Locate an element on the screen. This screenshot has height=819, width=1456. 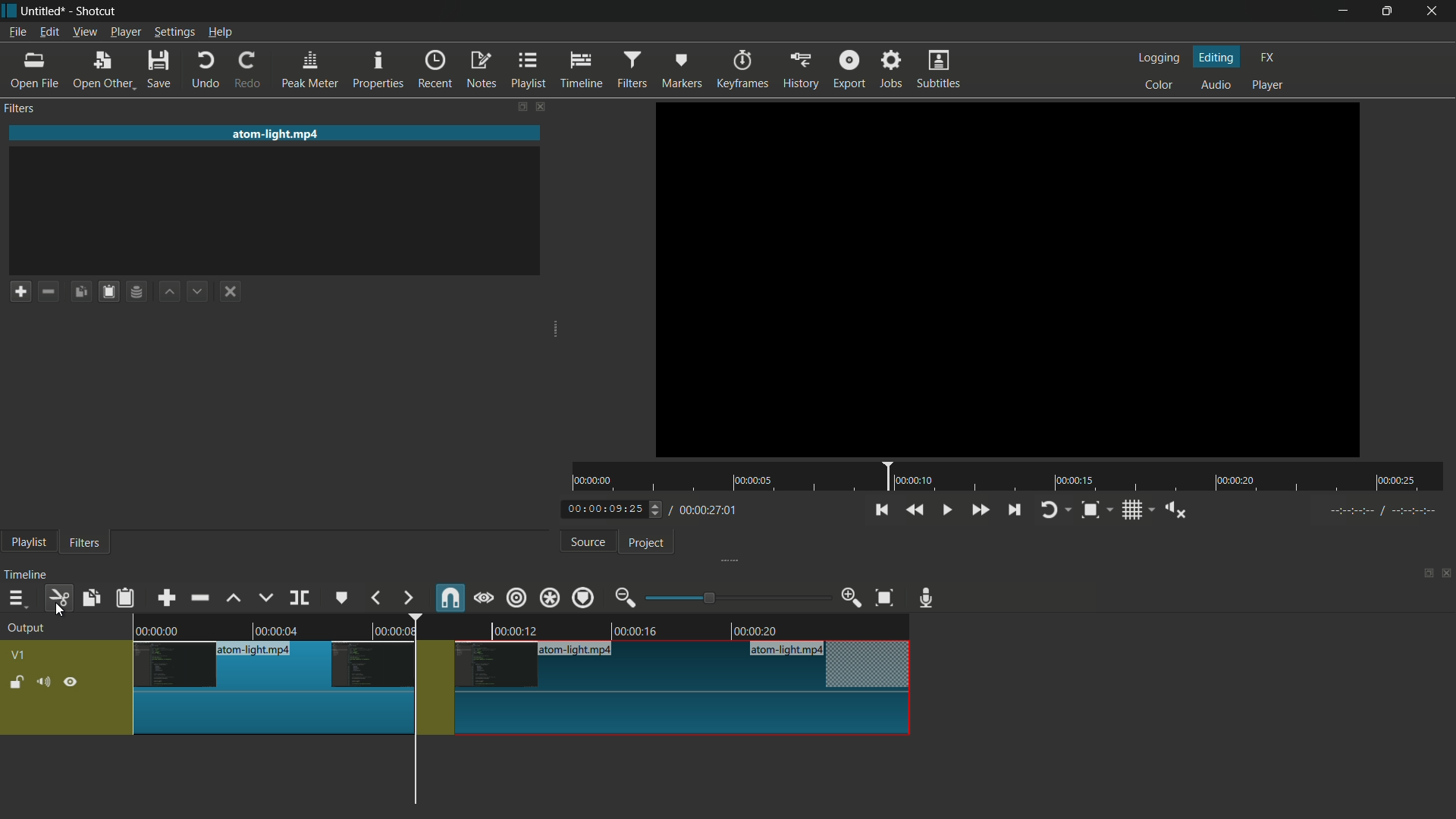
save is located at coordinates (160, 69).